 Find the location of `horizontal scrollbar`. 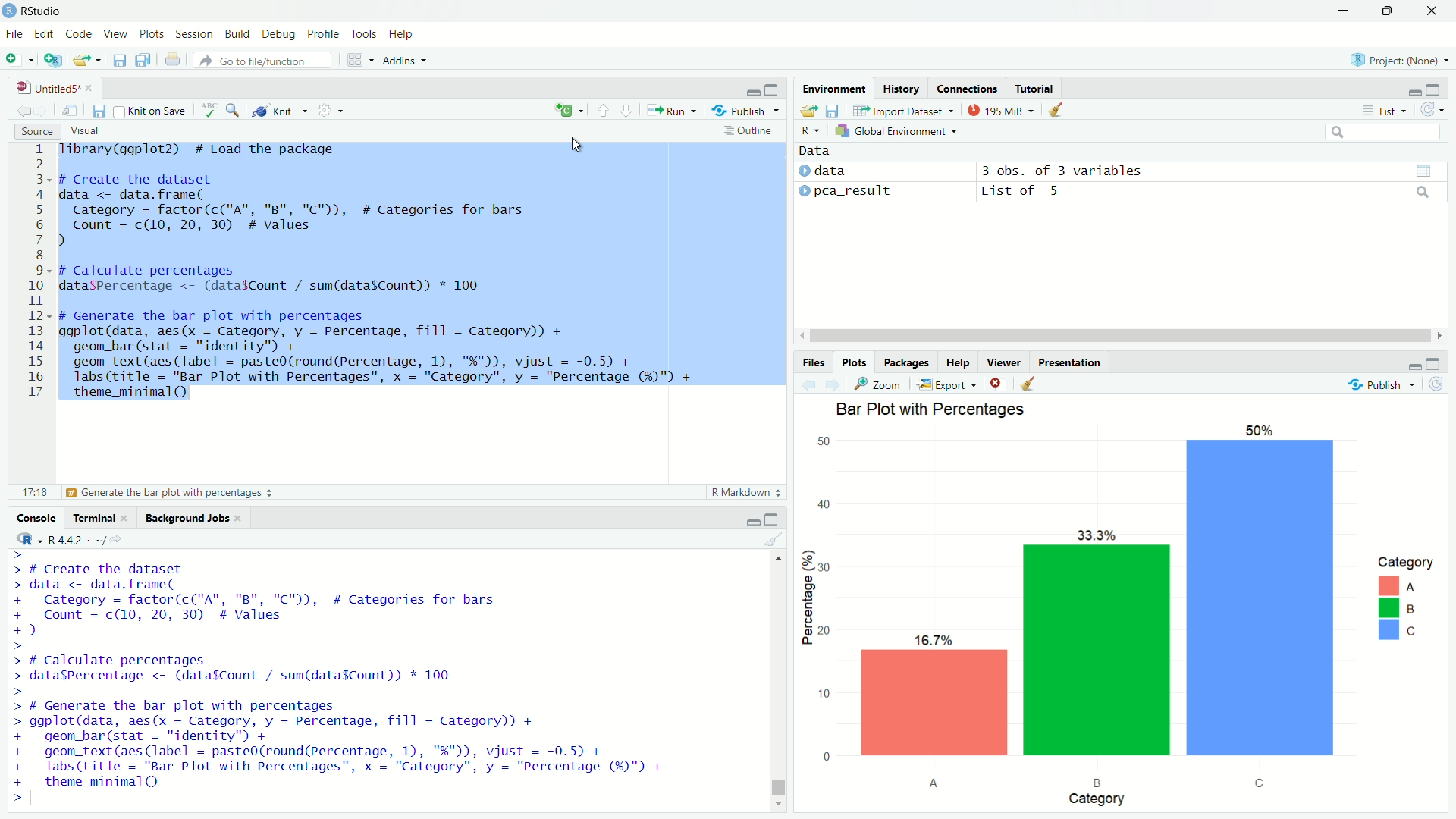

horizontal scrollbar is located at coordinates (1122, 337).